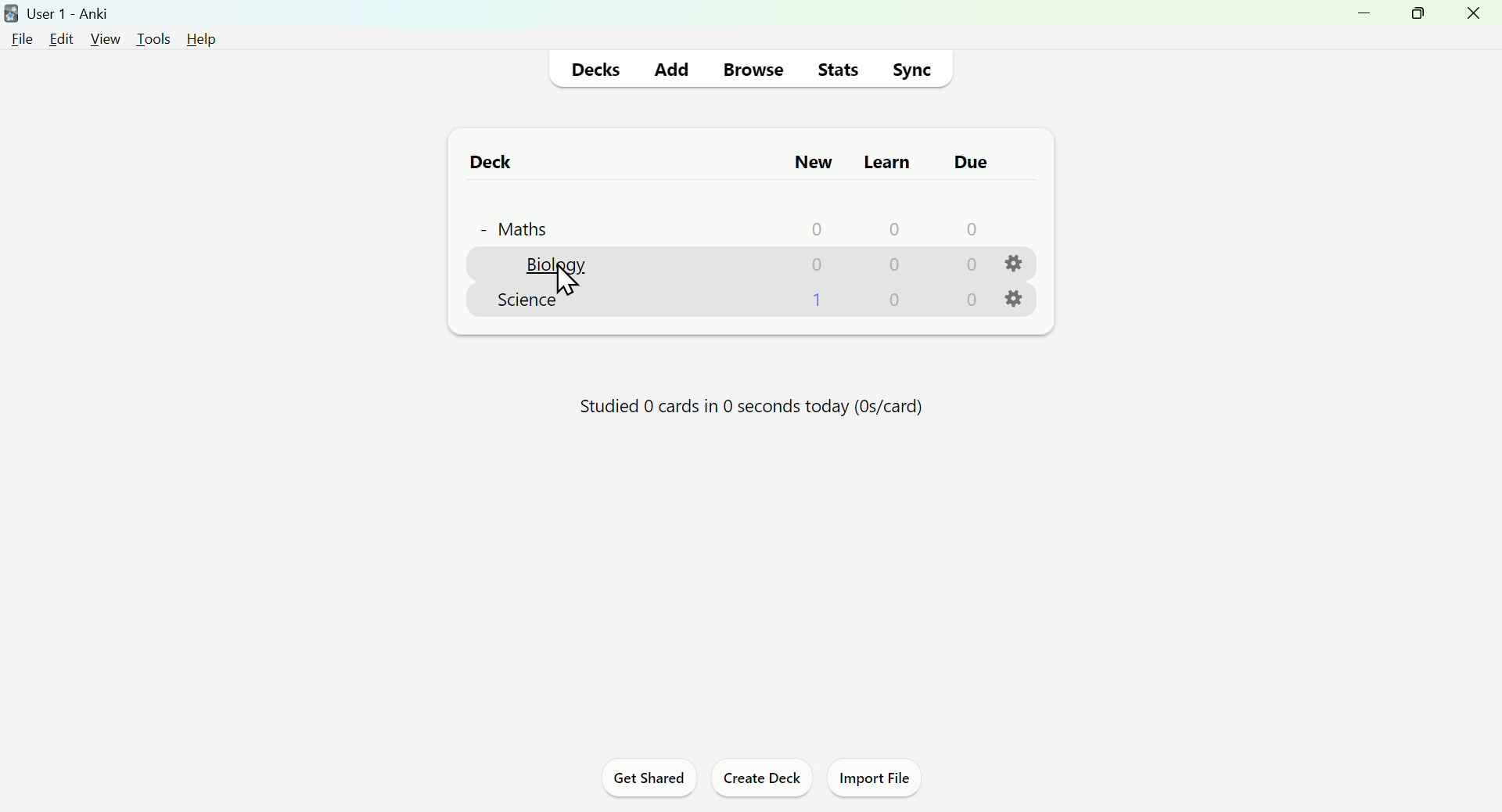 This screenshot has height=812, width=1502. I want to click on Decks, so click(596, 70).